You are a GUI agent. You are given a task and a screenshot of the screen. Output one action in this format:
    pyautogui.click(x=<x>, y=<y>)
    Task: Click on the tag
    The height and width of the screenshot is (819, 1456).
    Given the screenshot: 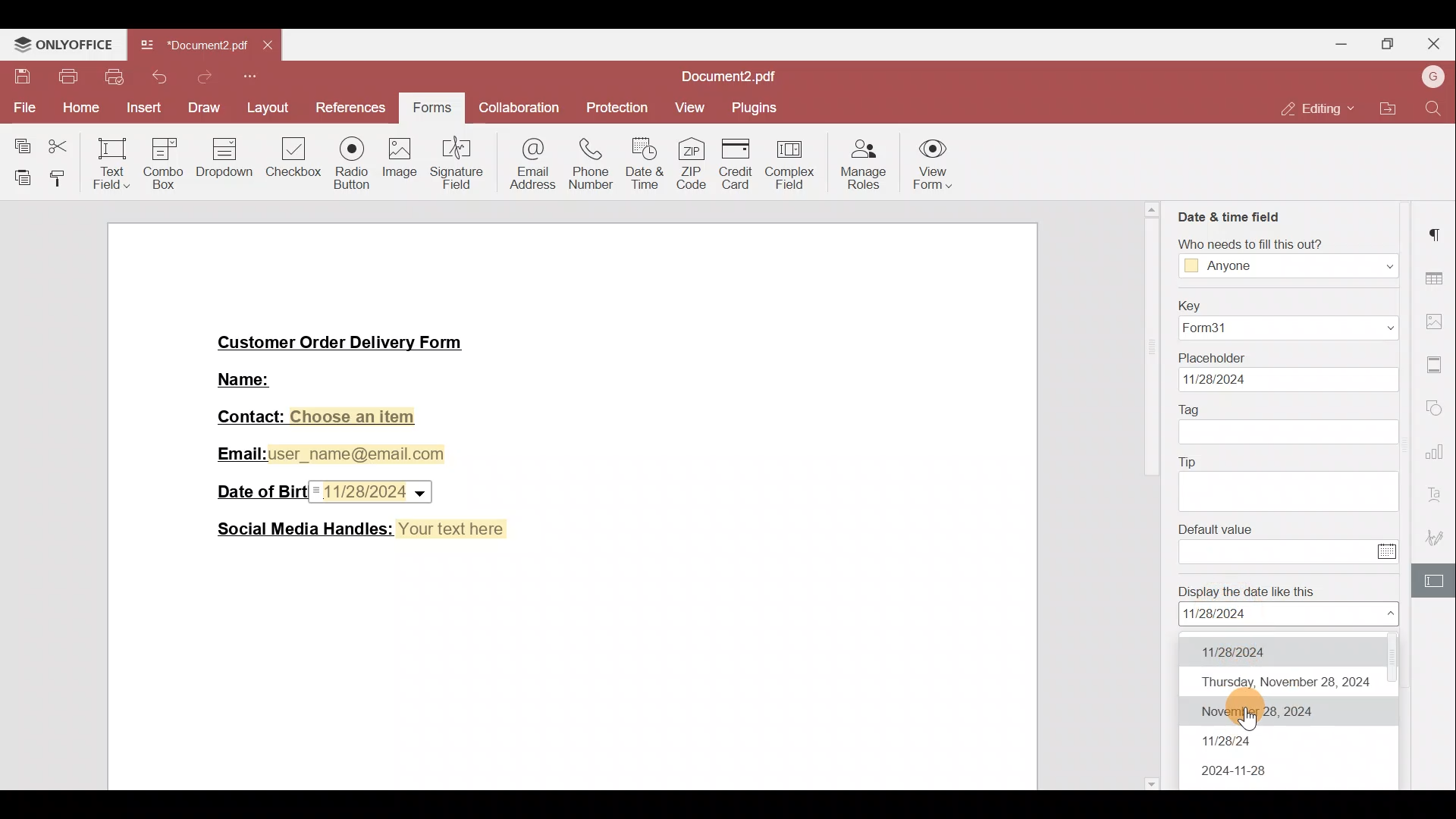 What is the action you would take?
    pyautogui.click(x=1290, y=433)
    